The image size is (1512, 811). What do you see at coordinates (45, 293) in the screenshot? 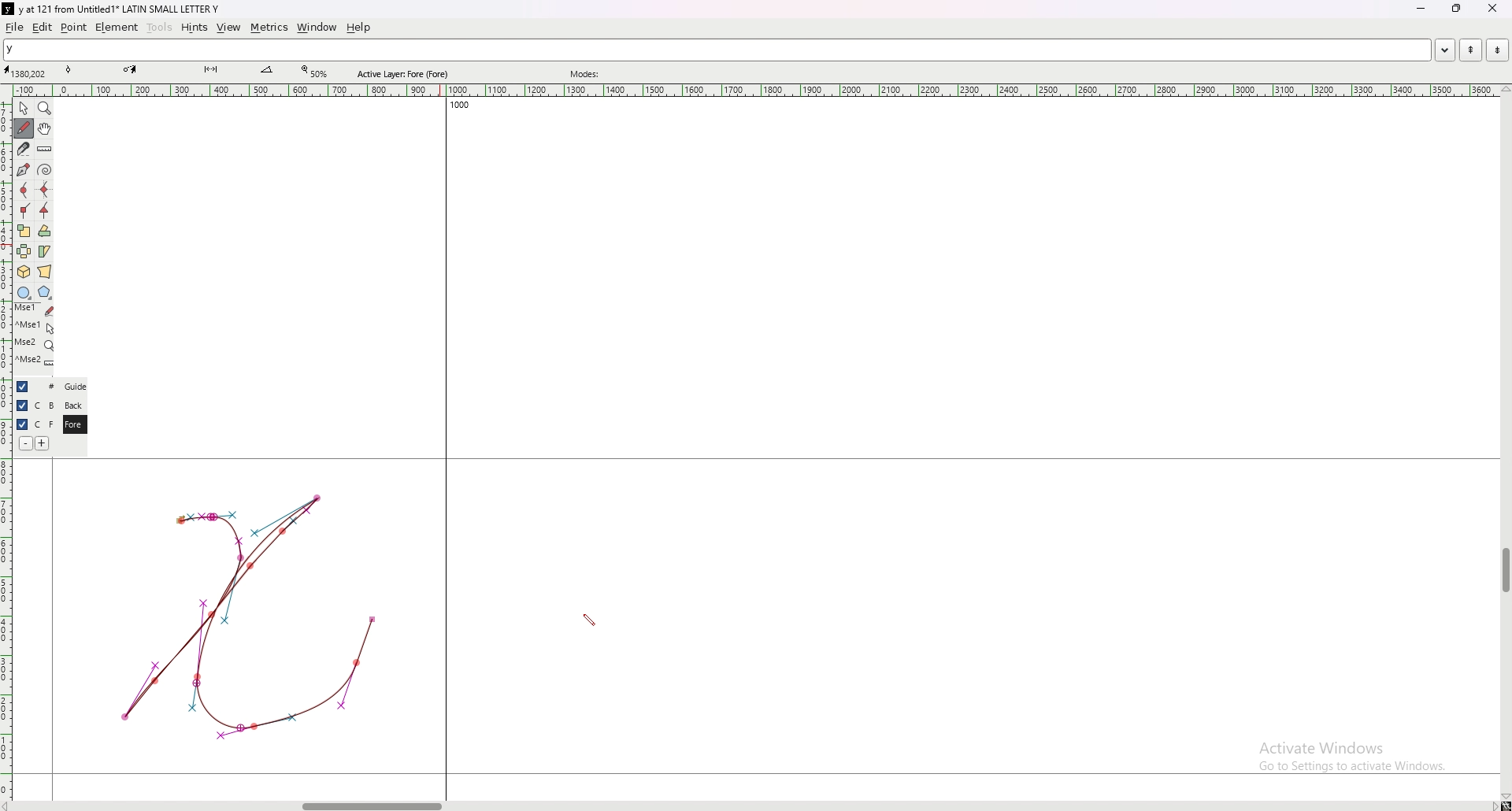
I see `polygon or star` at bounding box center [45, 293].